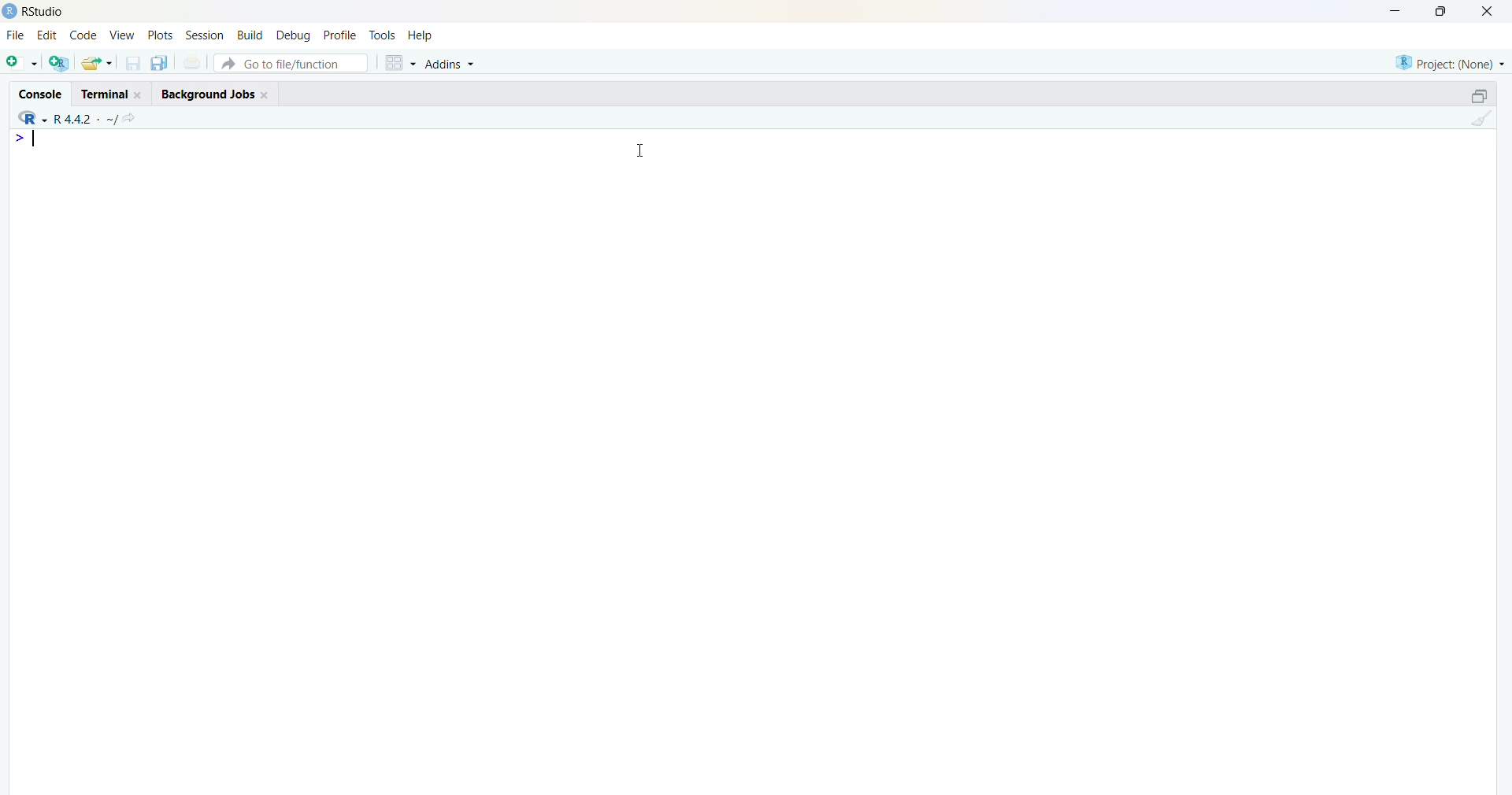  What do you see at coordinates (10, 11) in the screenshot?
I see `logo` at bounding box center [10, 11].